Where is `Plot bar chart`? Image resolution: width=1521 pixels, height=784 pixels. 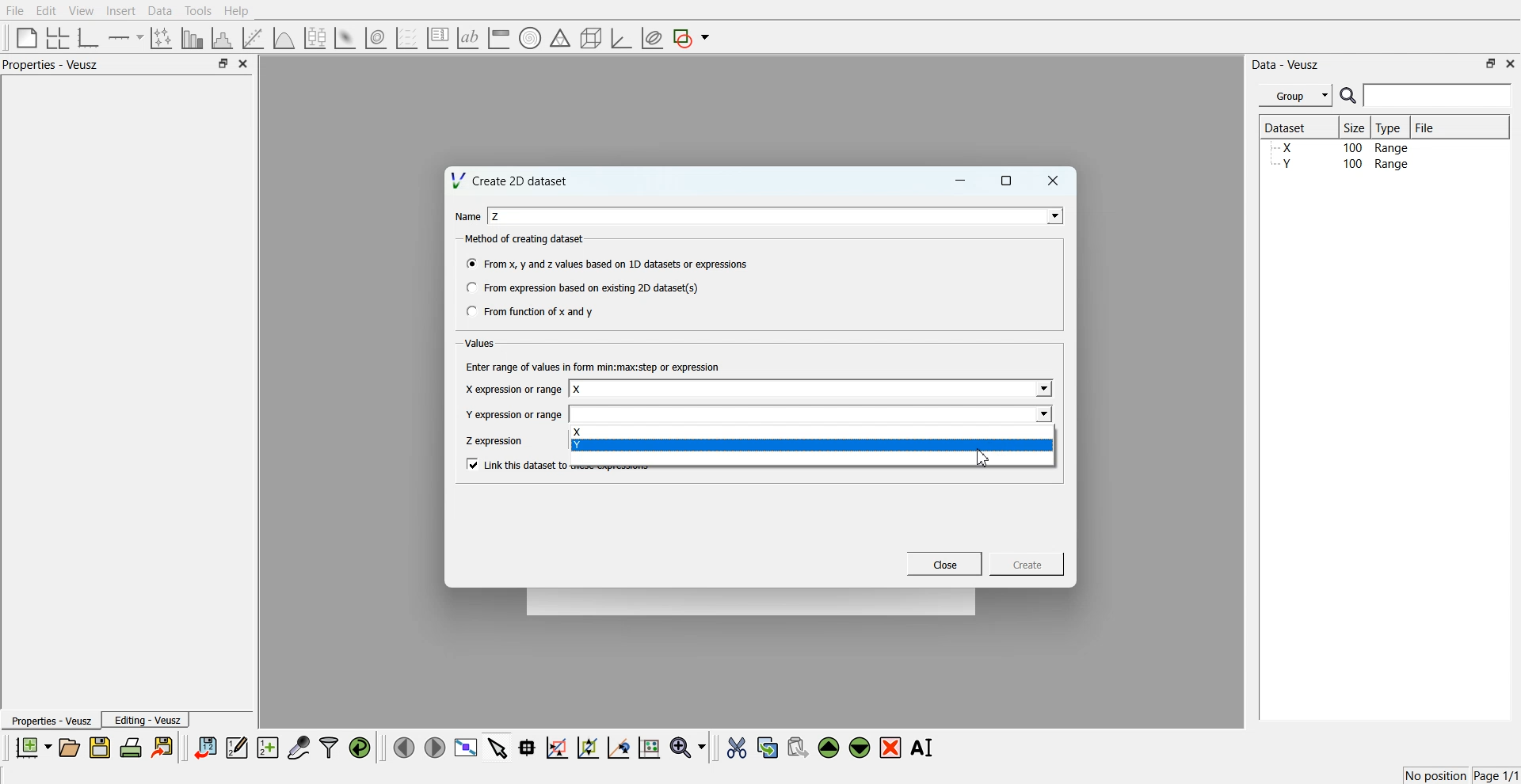
Plot bar chart is located at coordinates (192, 38).